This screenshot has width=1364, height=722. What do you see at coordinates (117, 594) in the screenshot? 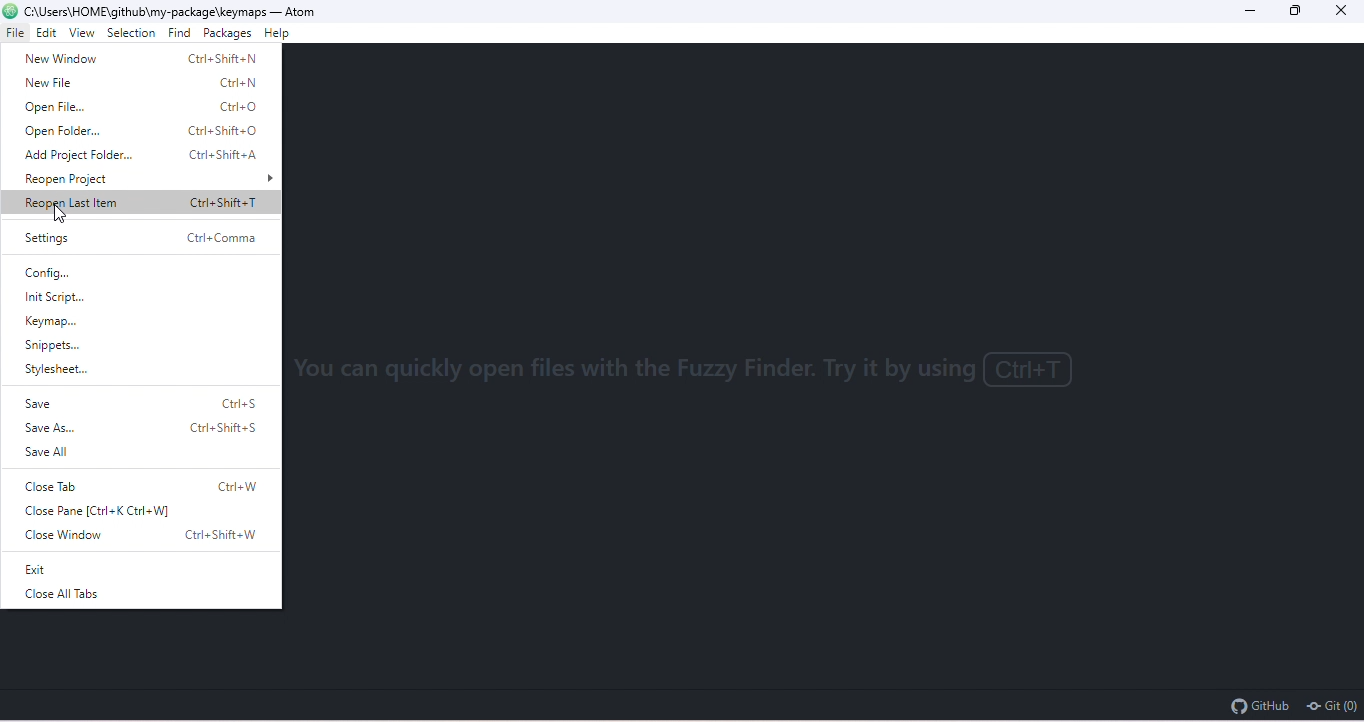
I see `close all tab` at bounding box center [117, 594].